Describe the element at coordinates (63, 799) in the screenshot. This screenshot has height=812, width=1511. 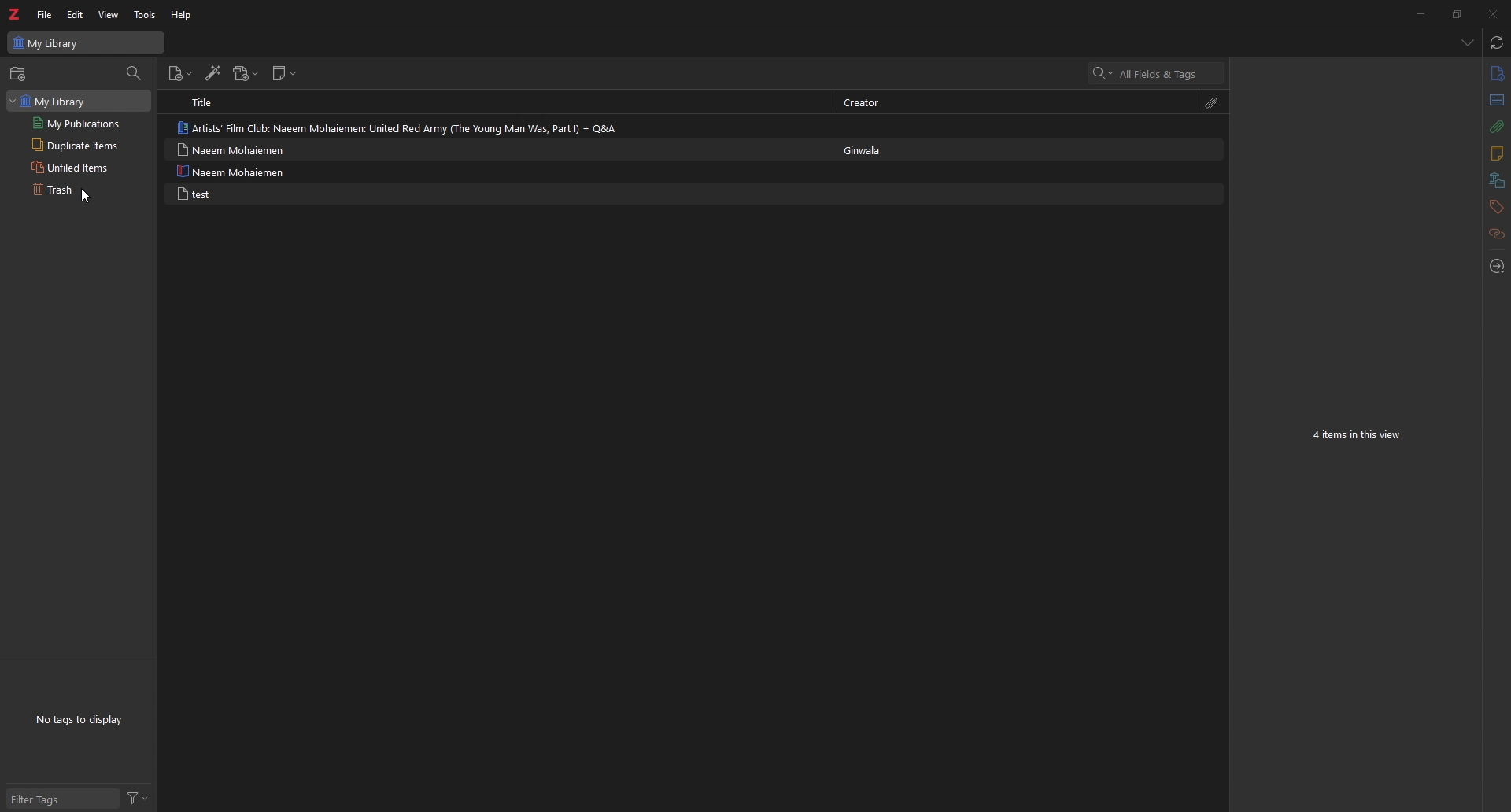
I see `filter tags` at that location.